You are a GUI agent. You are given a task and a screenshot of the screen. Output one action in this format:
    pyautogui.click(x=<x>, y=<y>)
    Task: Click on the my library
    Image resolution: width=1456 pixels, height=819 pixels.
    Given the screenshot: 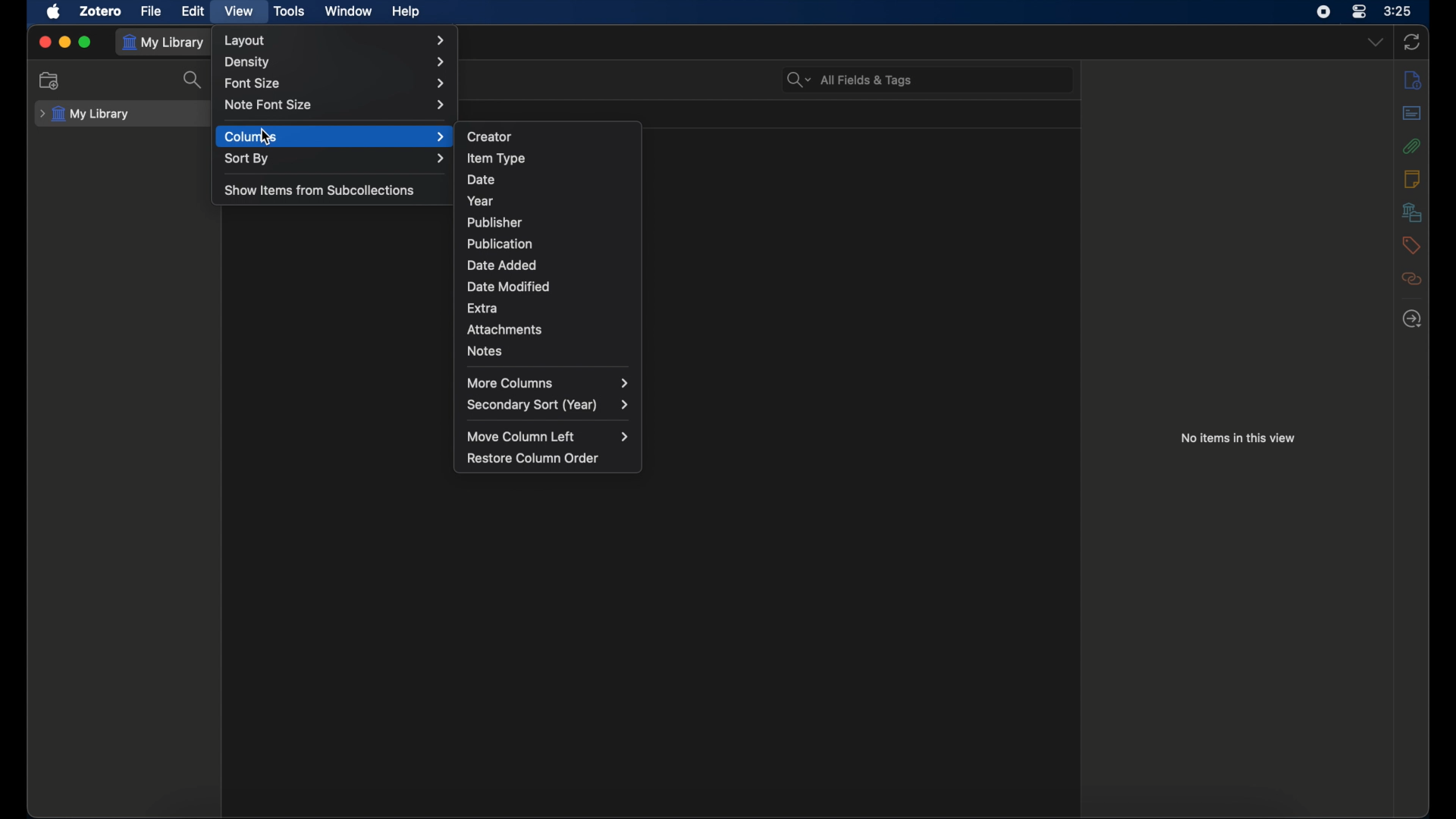 What is the action you would take?
    pyautogui.click(x=86, y=114)
    